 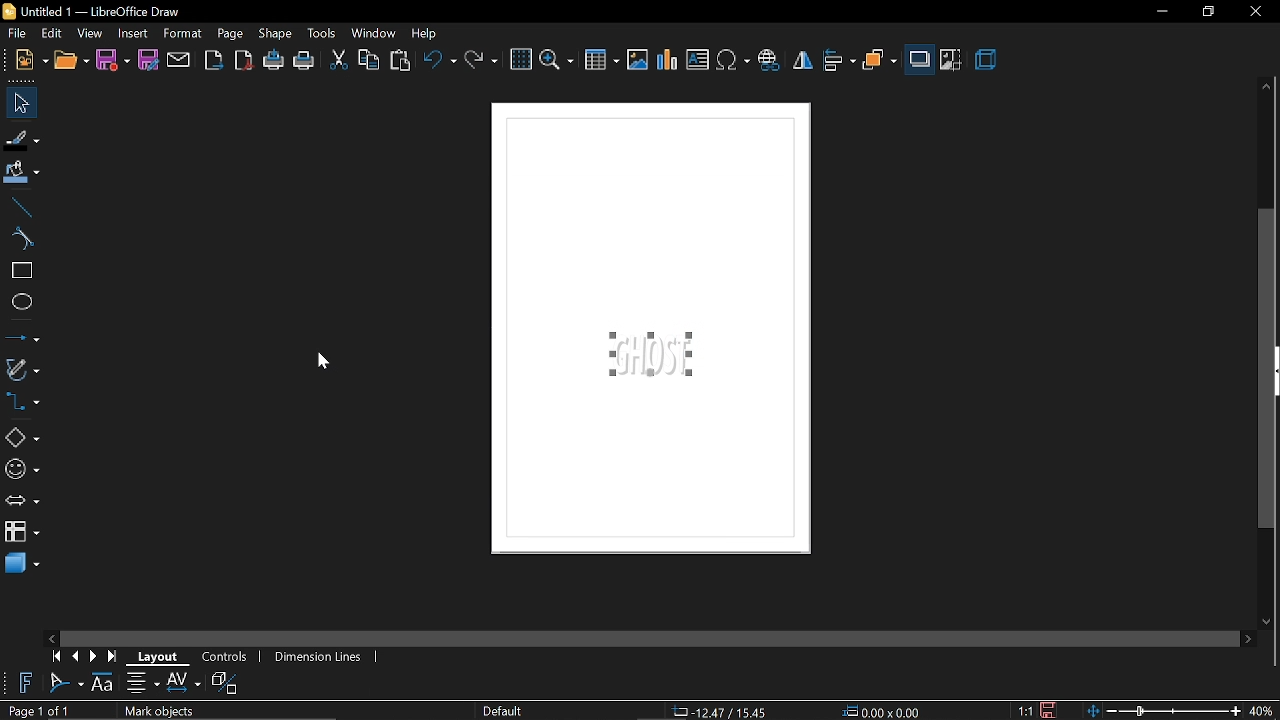 What do you see at coordinates (38, 711) in the screenshot?
I see `Page 1 of 1` at bounding box center [38, 711].